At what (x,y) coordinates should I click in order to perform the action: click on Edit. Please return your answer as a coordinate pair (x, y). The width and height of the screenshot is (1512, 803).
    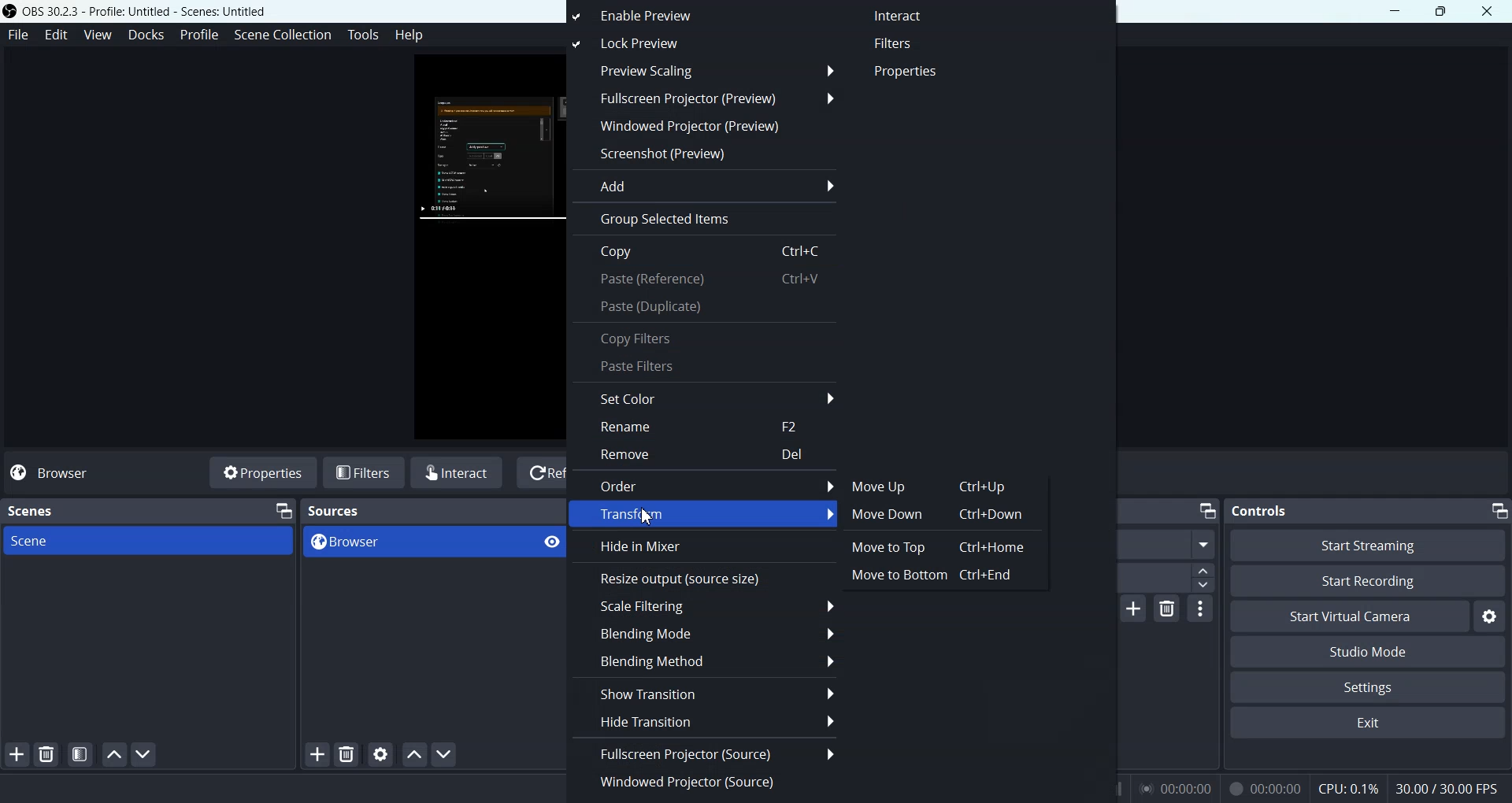
    Looking at the image, I should click on (57, 34).